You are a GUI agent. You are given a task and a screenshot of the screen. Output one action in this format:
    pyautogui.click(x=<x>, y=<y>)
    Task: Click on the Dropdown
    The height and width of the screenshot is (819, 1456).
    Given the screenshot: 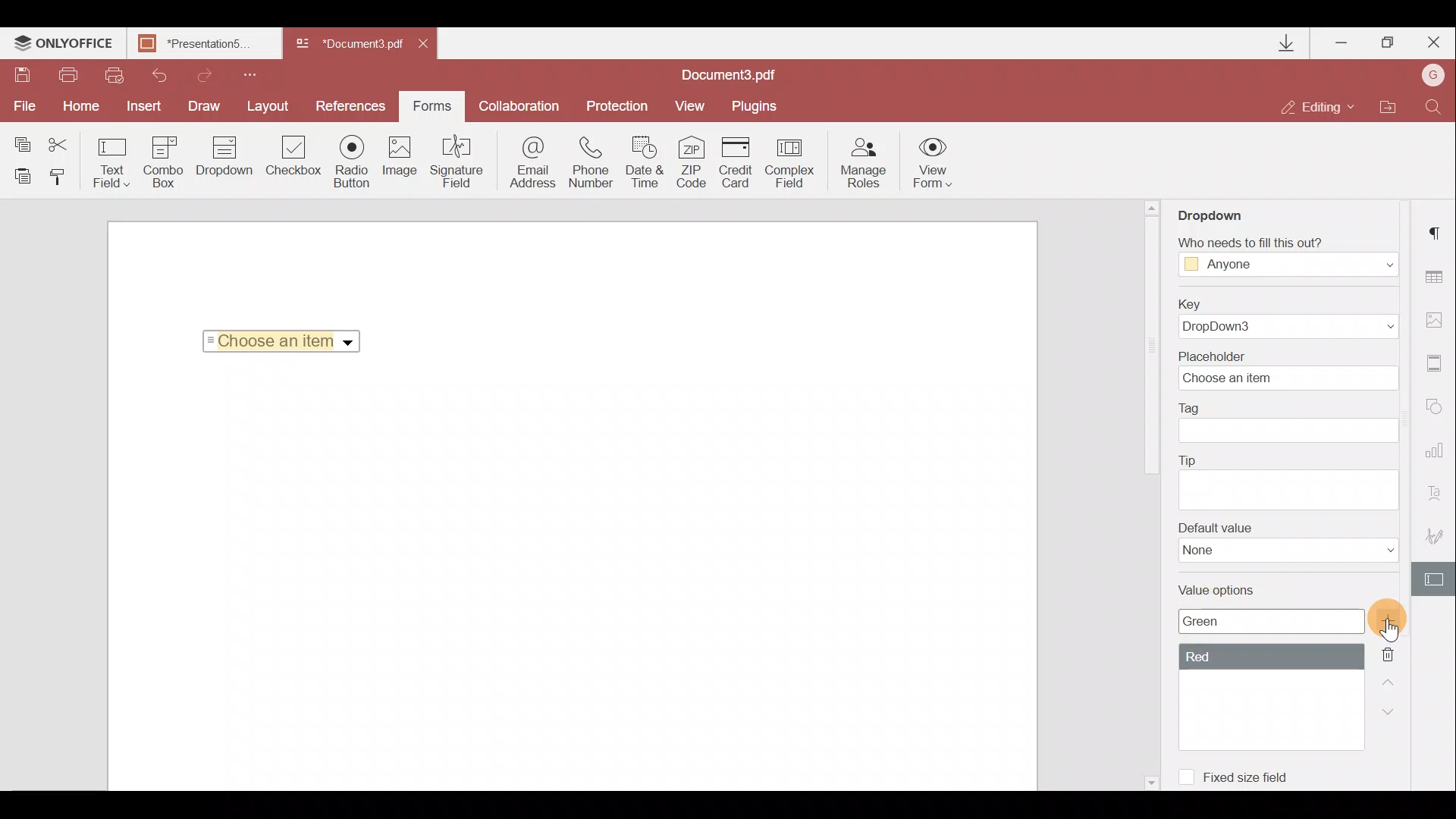 What is the action you would take?
    pyautogui.click(x=350, y=343)
    